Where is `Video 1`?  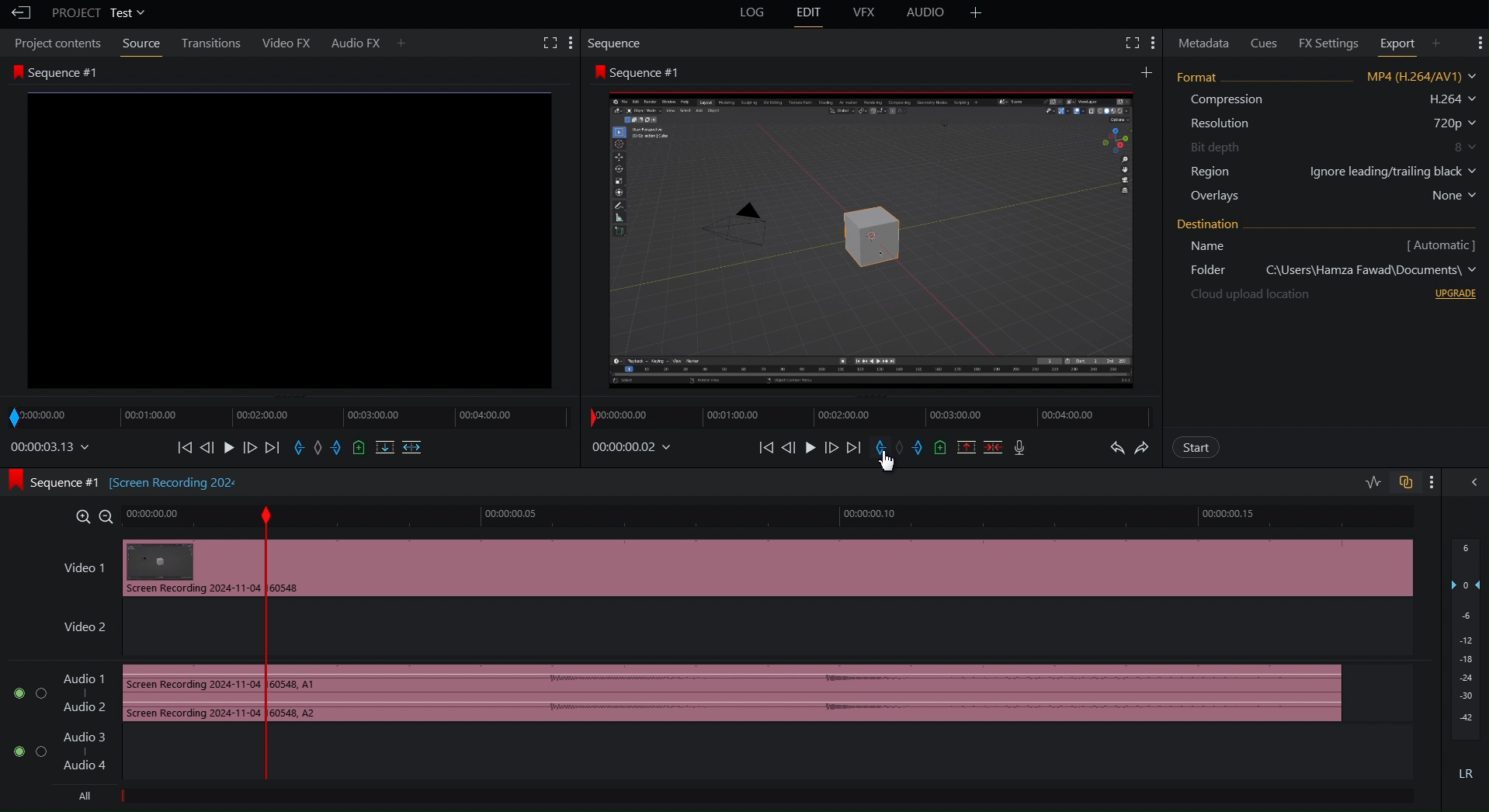 Video 1 is located at coordinates (78, 565).